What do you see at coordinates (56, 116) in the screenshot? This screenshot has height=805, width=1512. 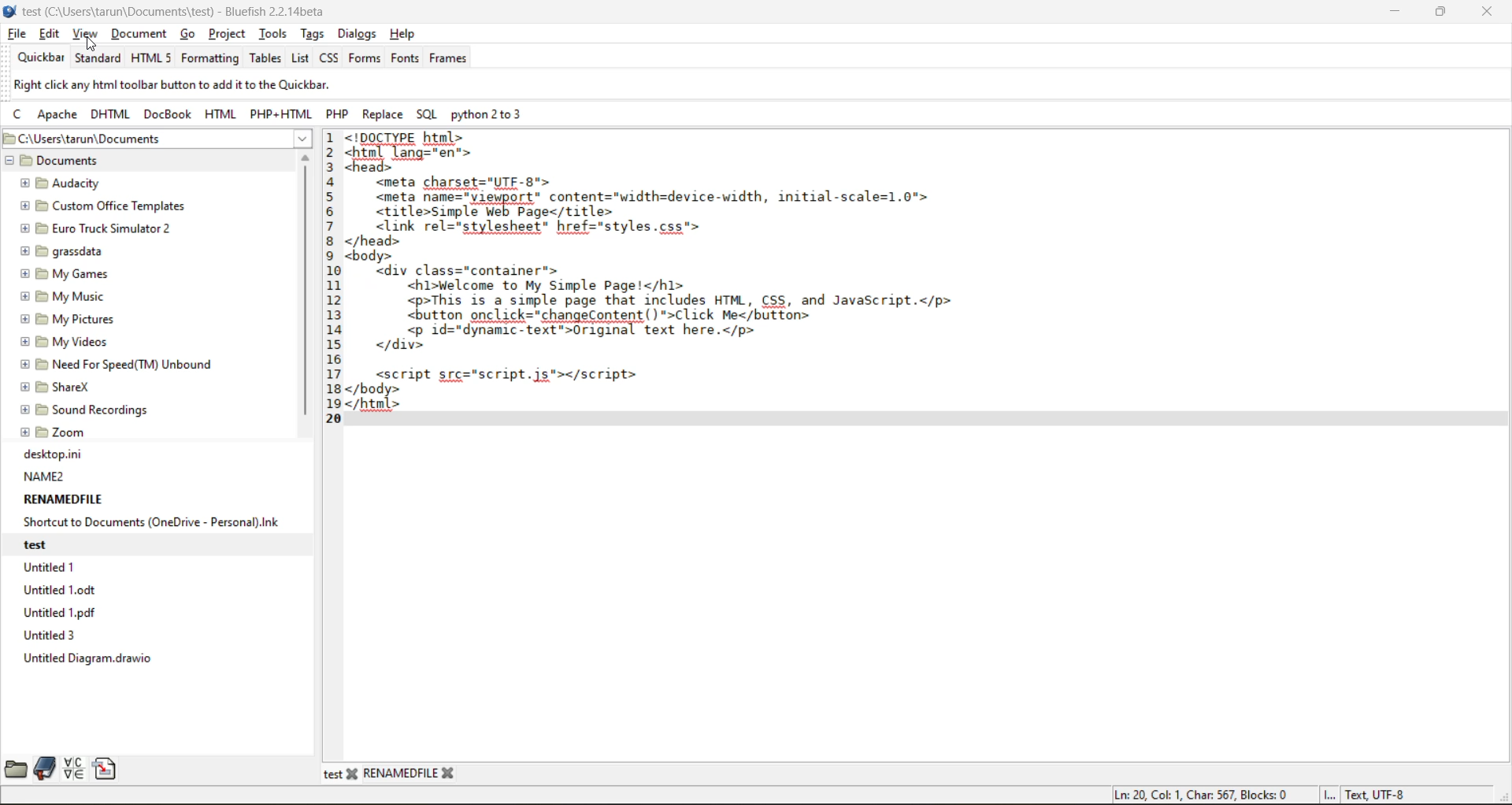 I see `apache` at bounding box center [56, 116].